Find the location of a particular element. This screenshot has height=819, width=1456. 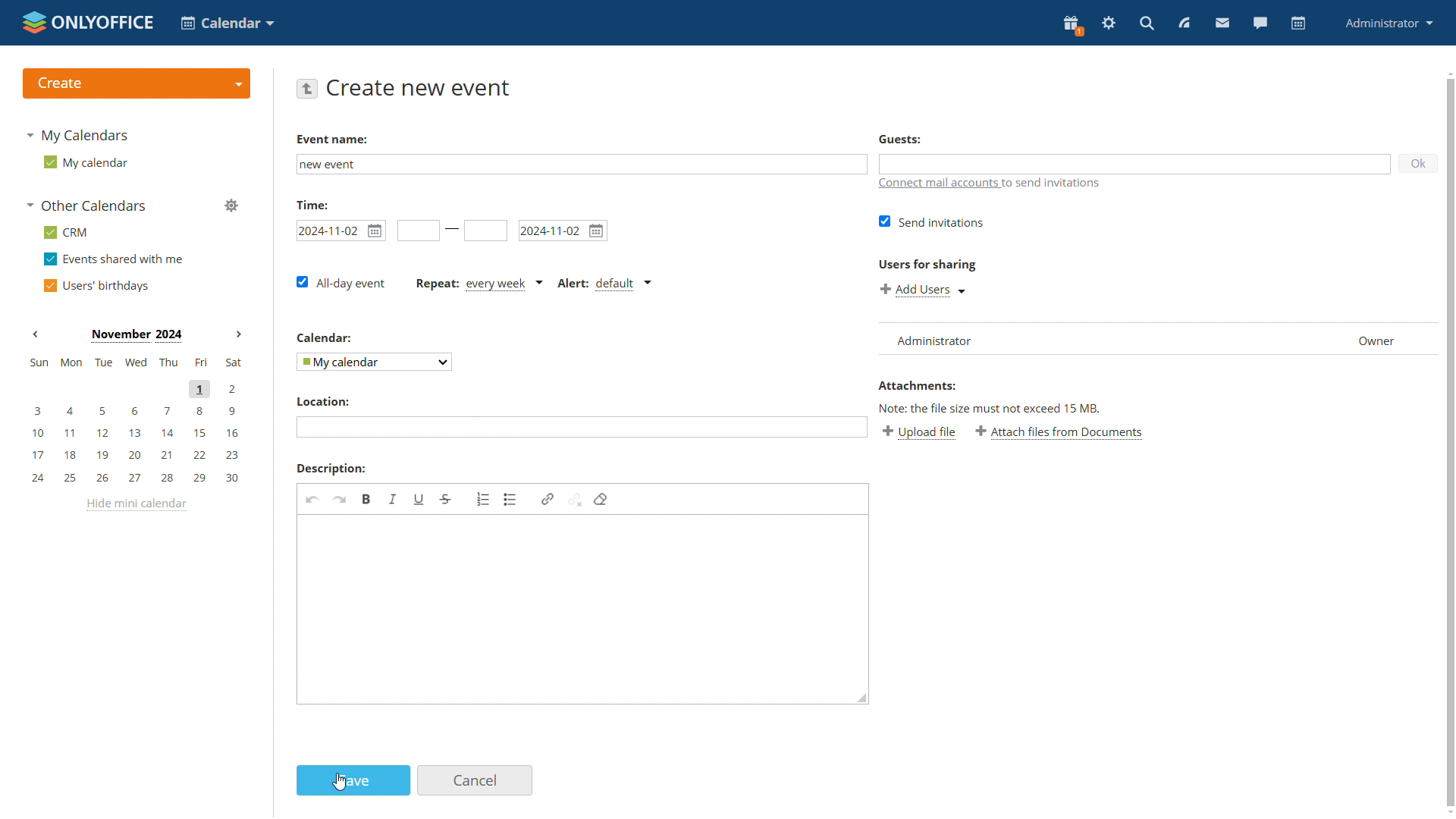

remove format is located at coordinates (601, 499).